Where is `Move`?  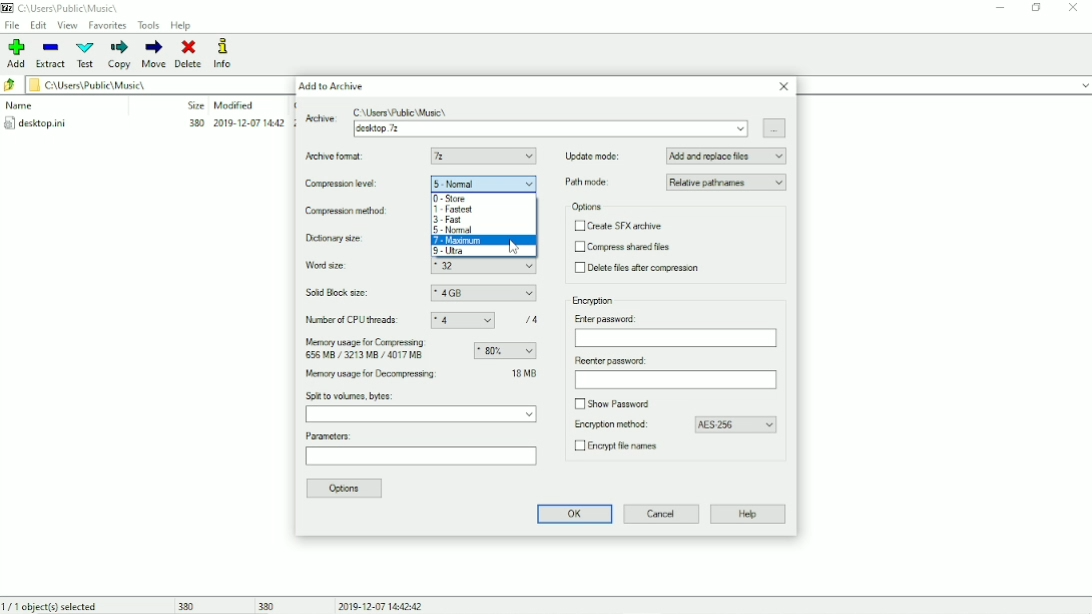 Move is located at coordinates (154, 54).